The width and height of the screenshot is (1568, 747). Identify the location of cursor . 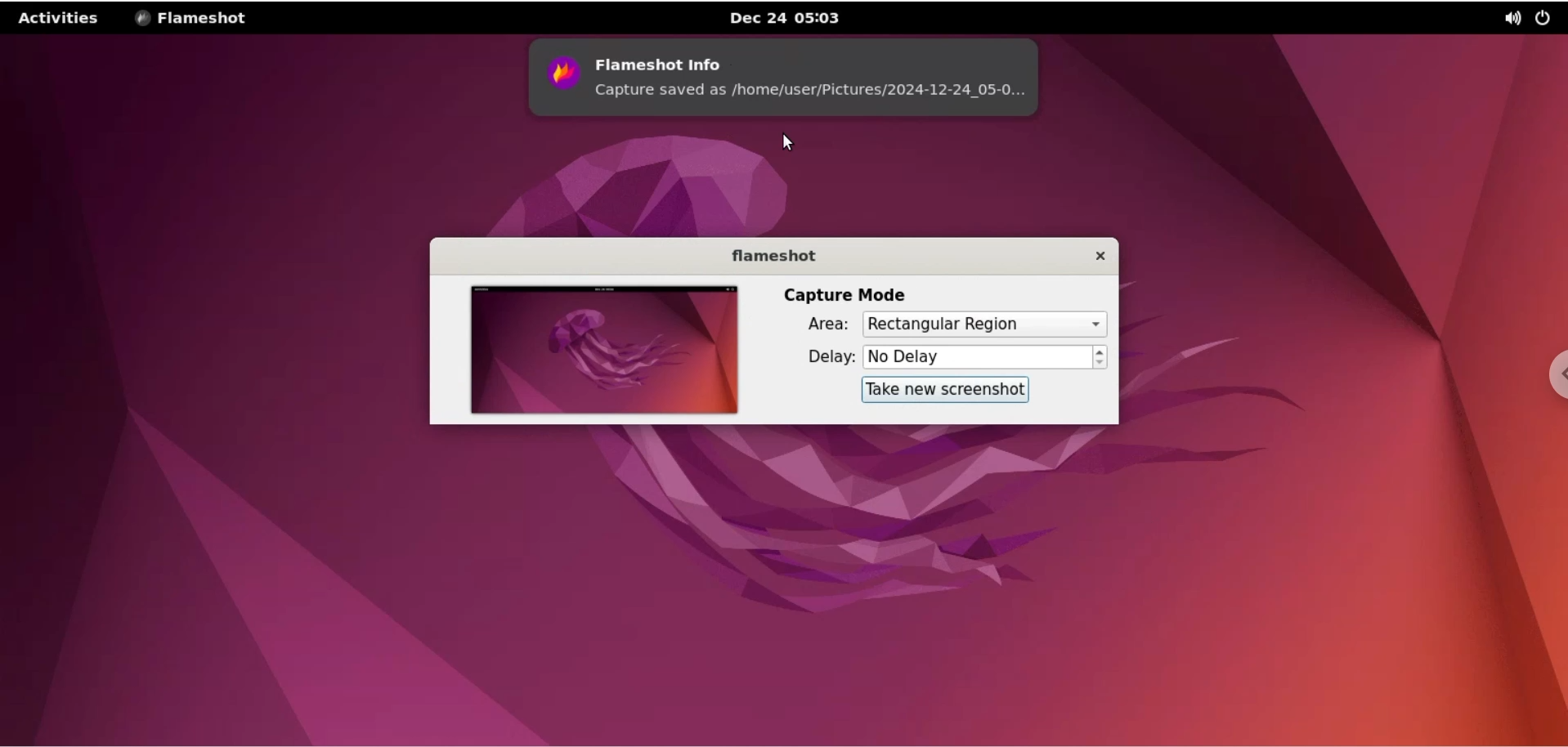
(791, 142).